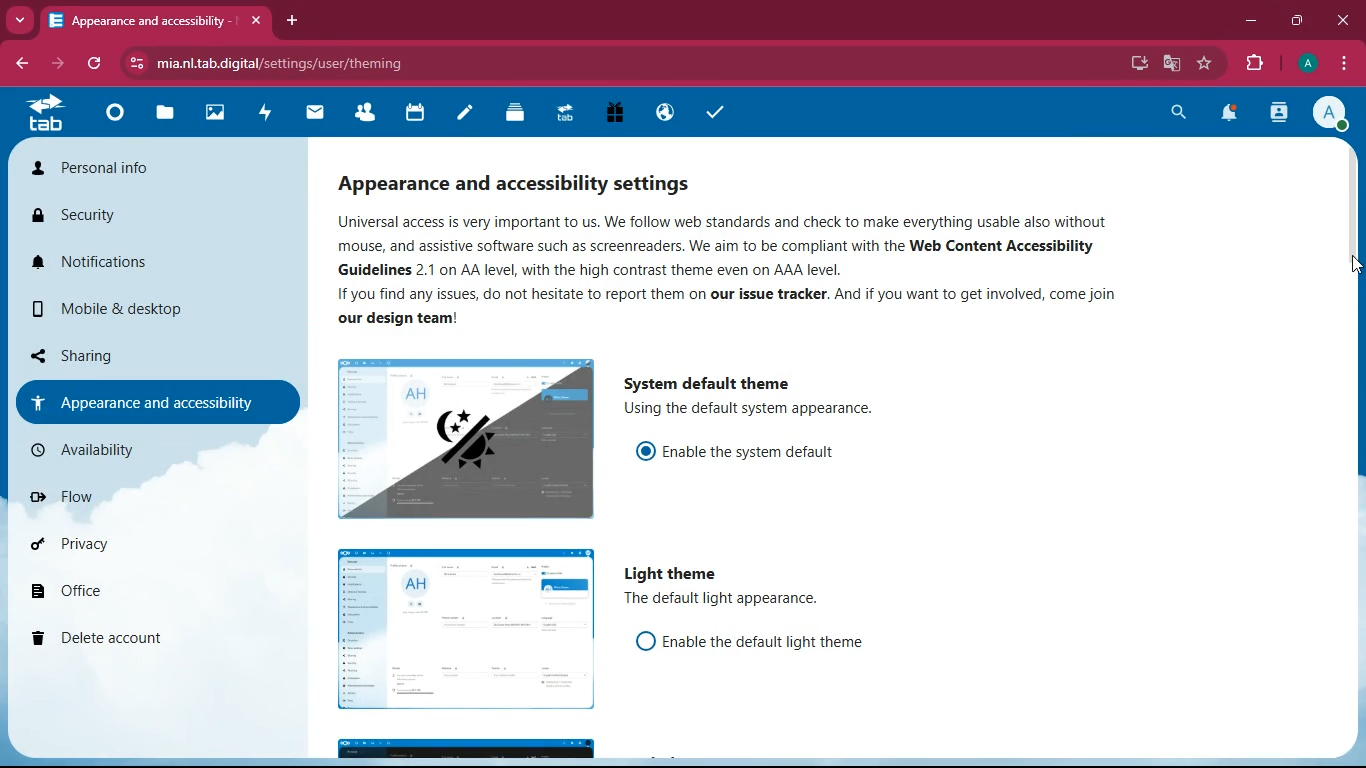 The image size is (1366, 768). I want to click on refresh, so click(91, 65).